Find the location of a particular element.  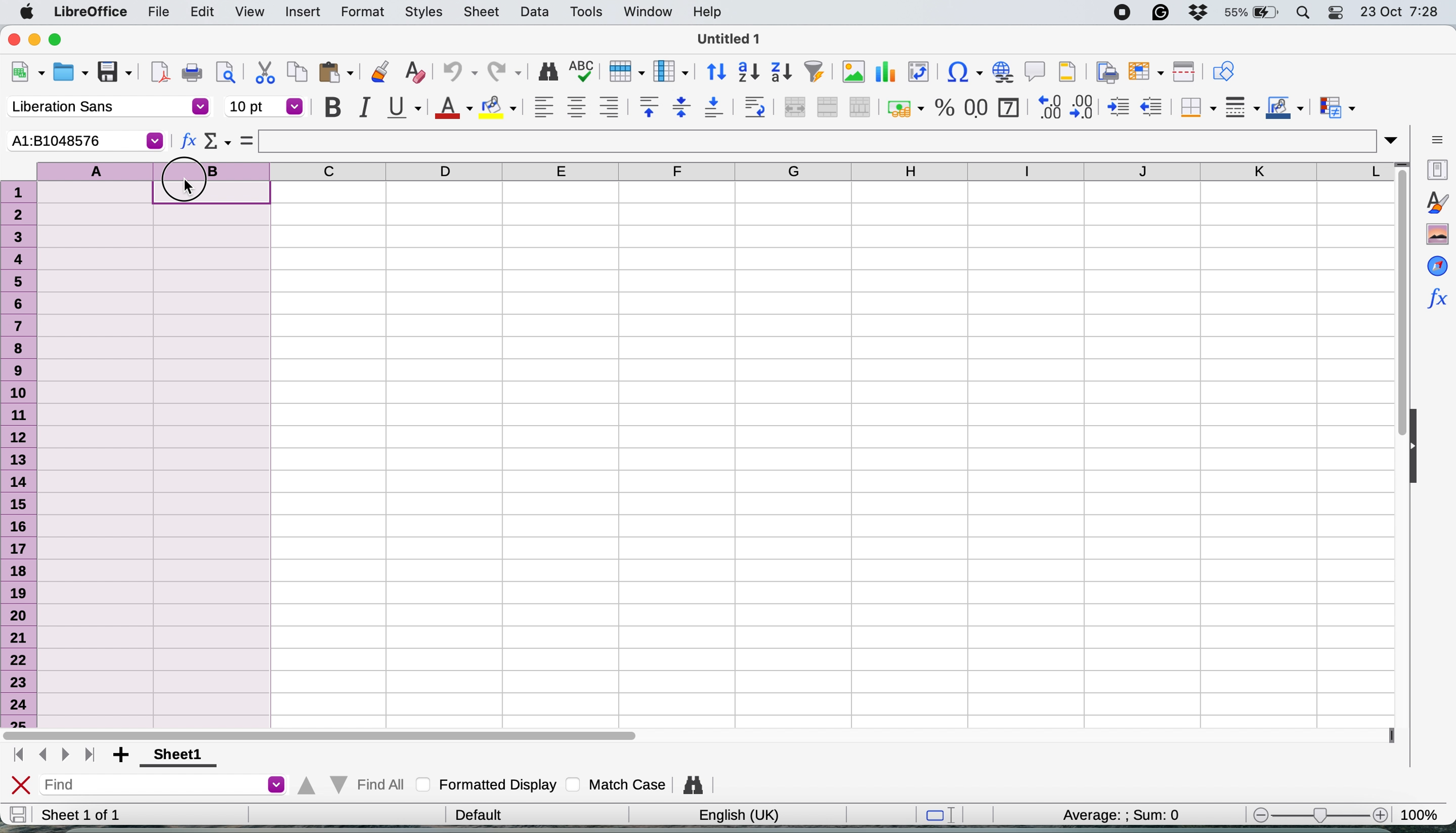

horizontal scroll bar is located at coordinates (326, 733).